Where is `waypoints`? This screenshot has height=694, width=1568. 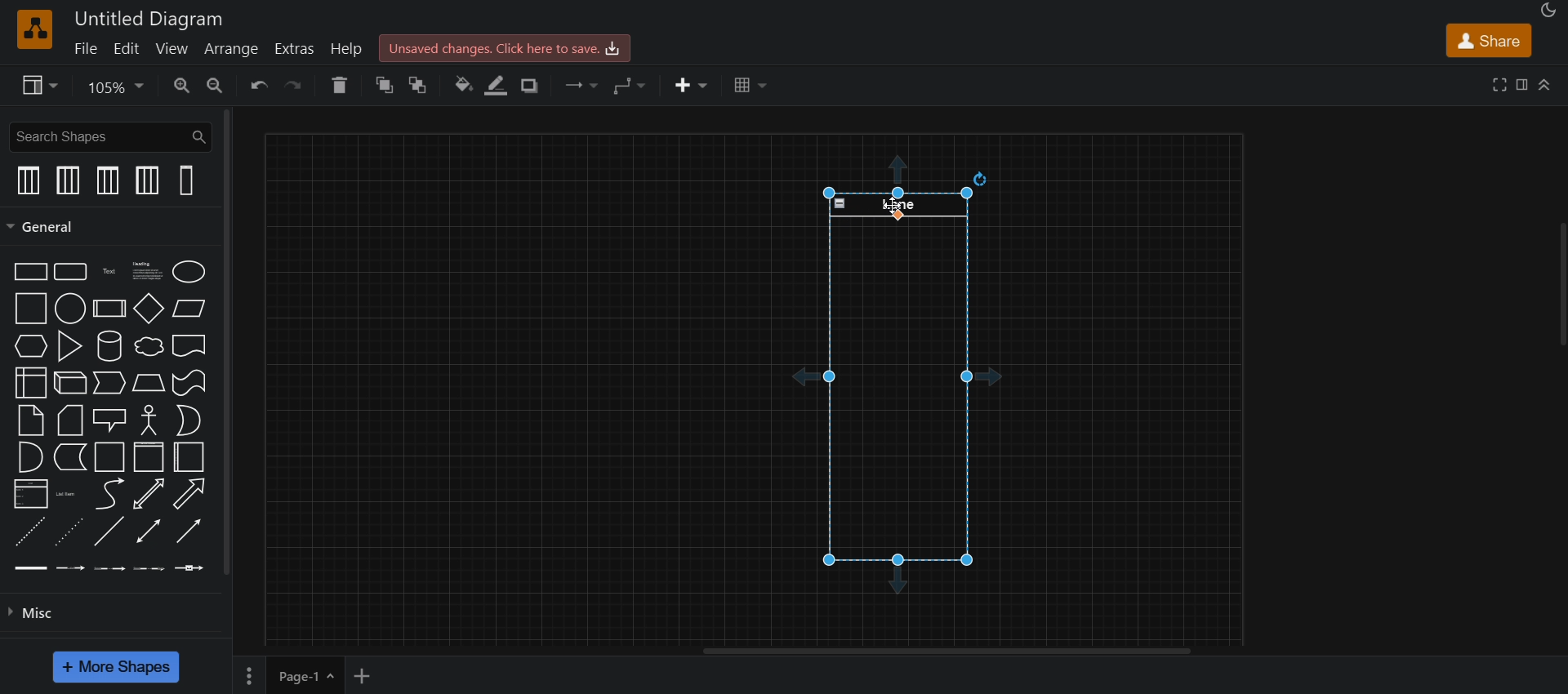 waypoints is located at coordinates (632, 86).